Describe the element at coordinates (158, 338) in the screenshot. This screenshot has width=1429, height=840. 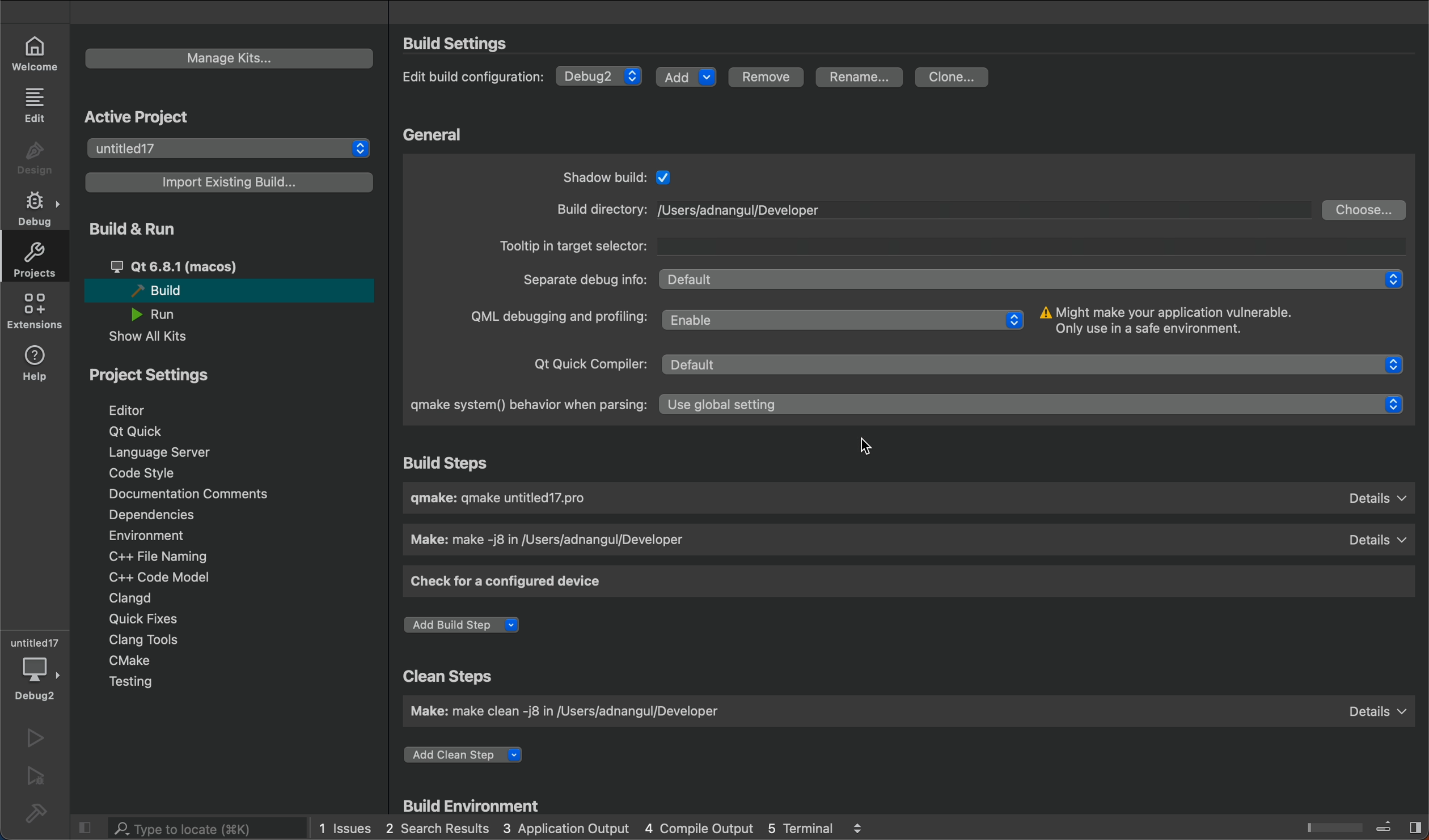
I see `show all kits` at that location.